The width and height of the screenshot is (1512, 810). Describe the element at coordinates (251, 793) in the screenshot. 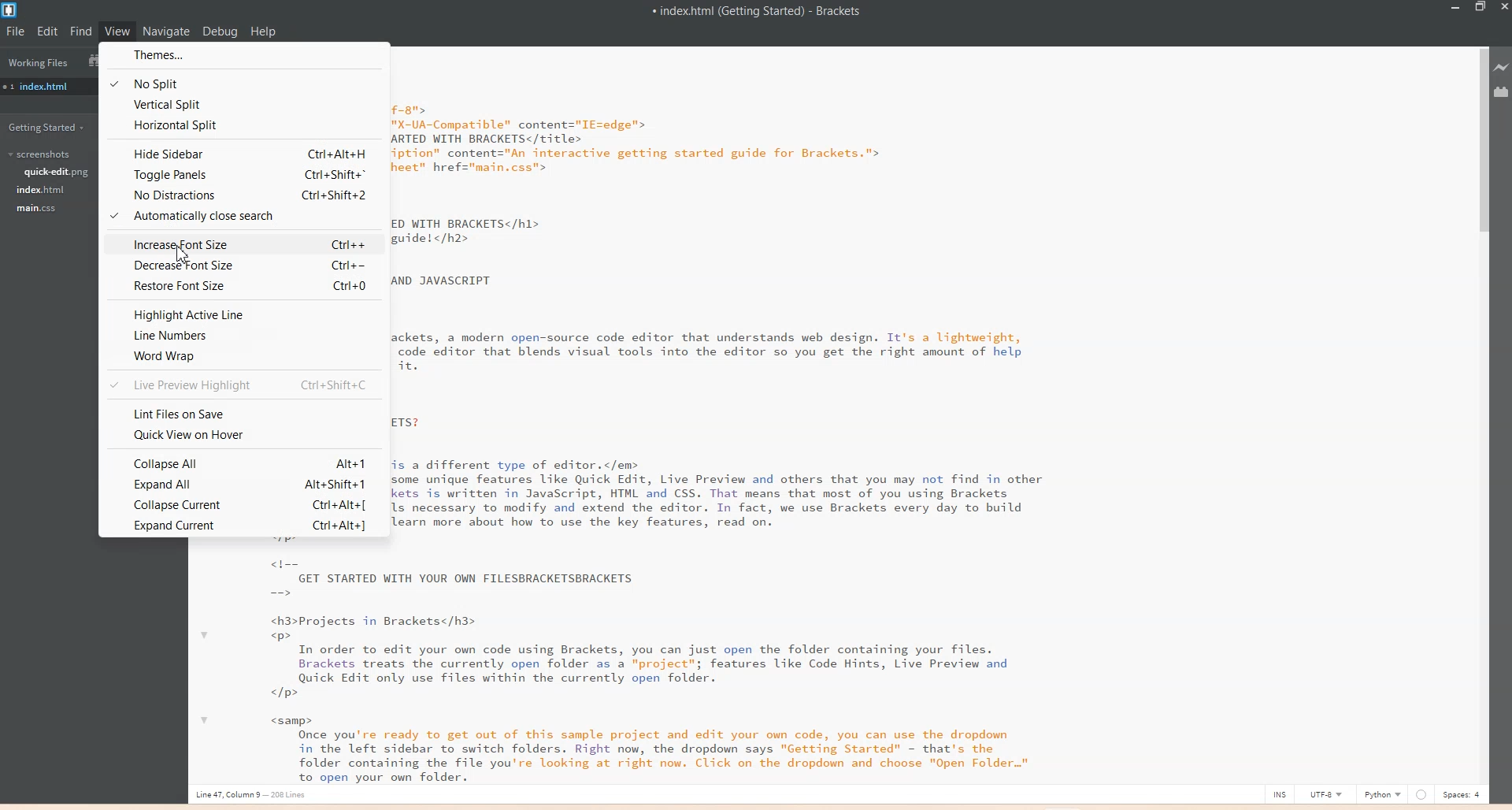

I see `Line, column` at that location.